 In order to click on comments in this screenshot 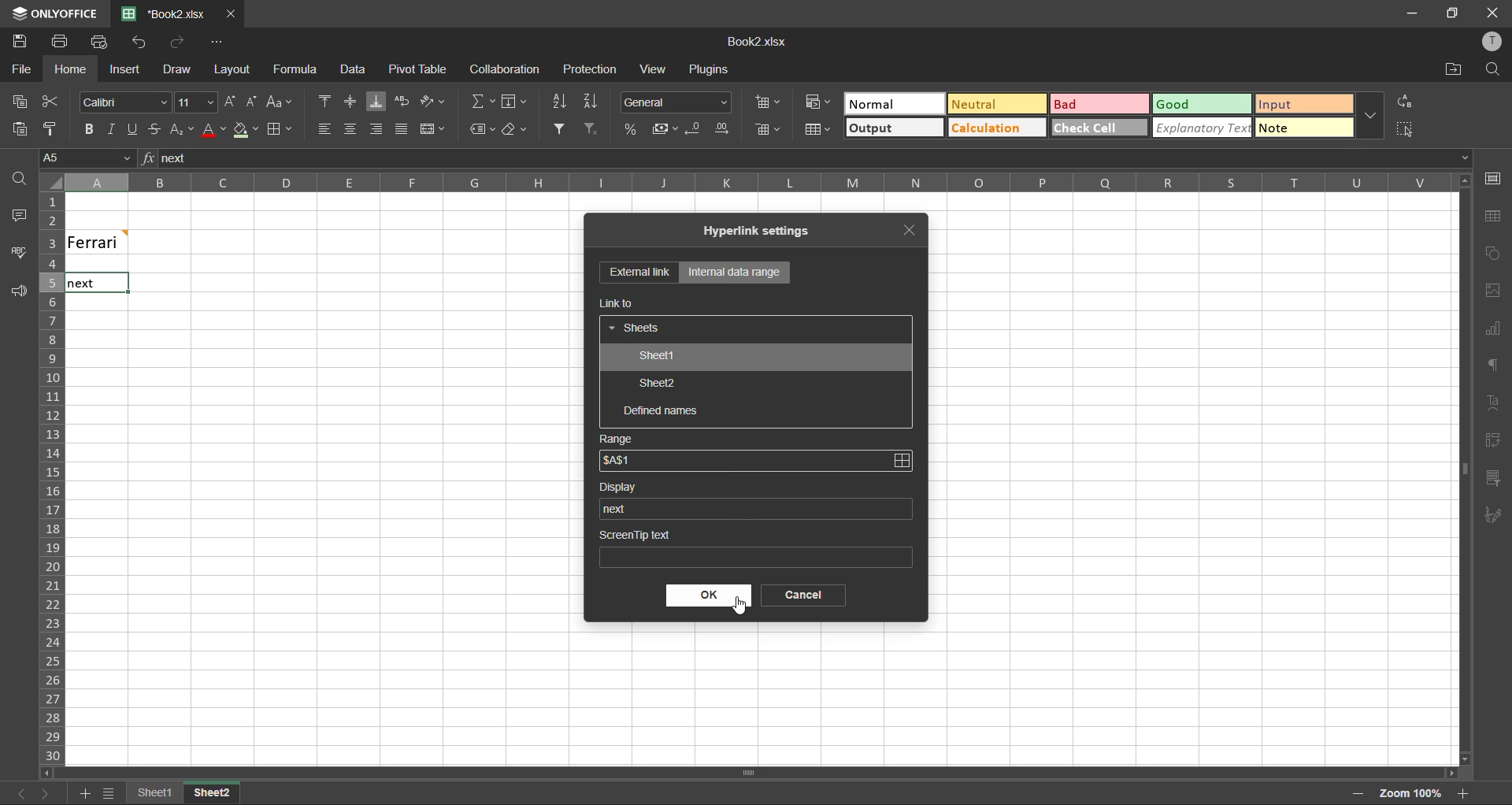, I will do `click(17, 216)`.